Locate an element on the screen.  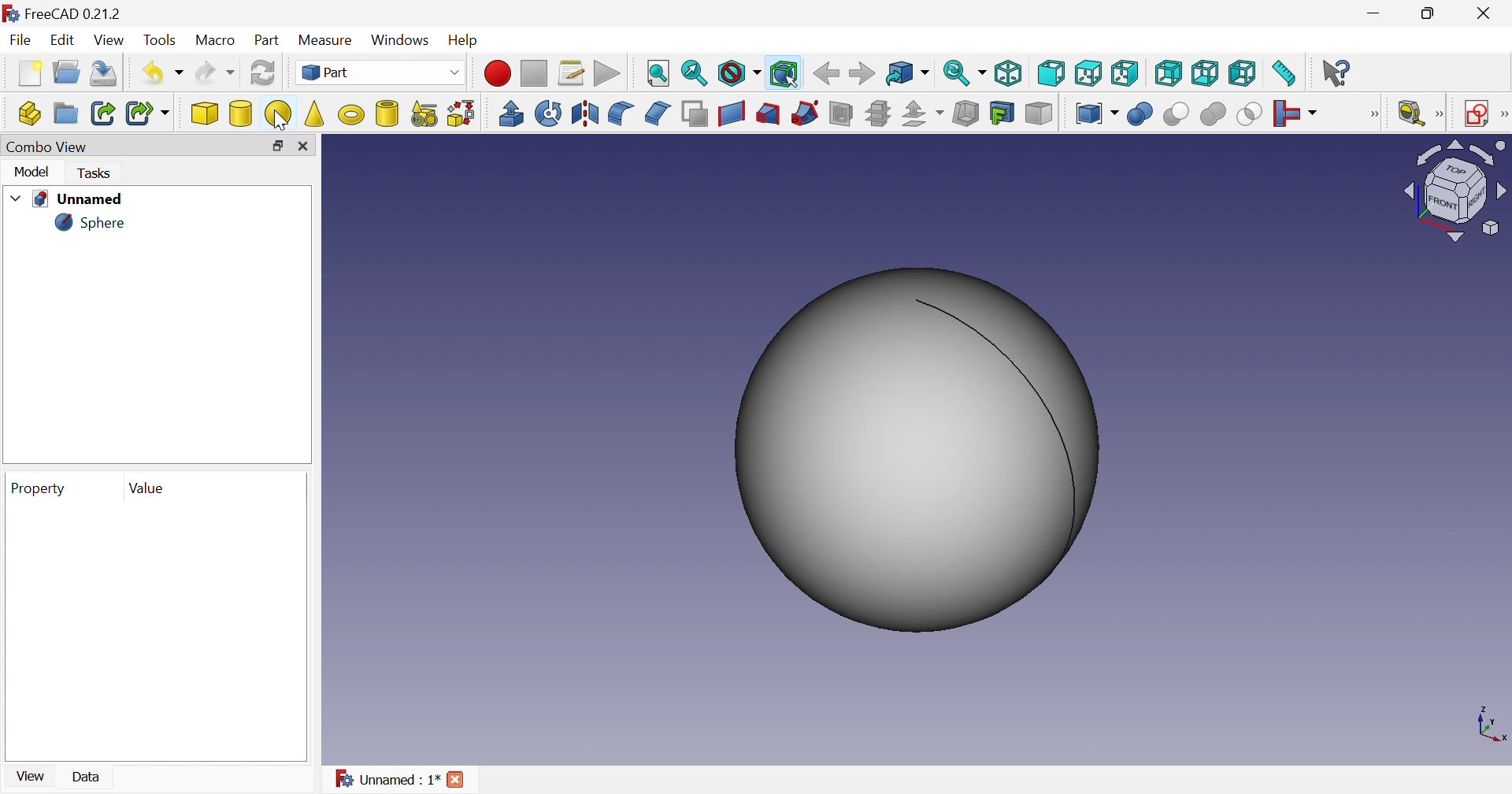
Cut is located at coordinates (1176, 114).